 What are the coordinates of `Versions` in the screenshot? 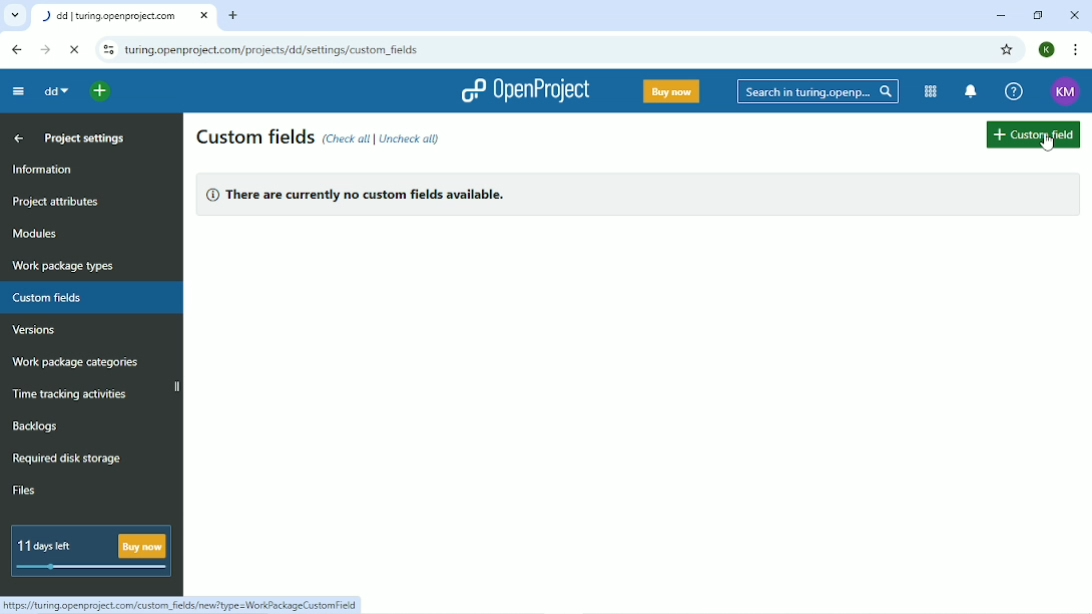 It's located at (34, 330).